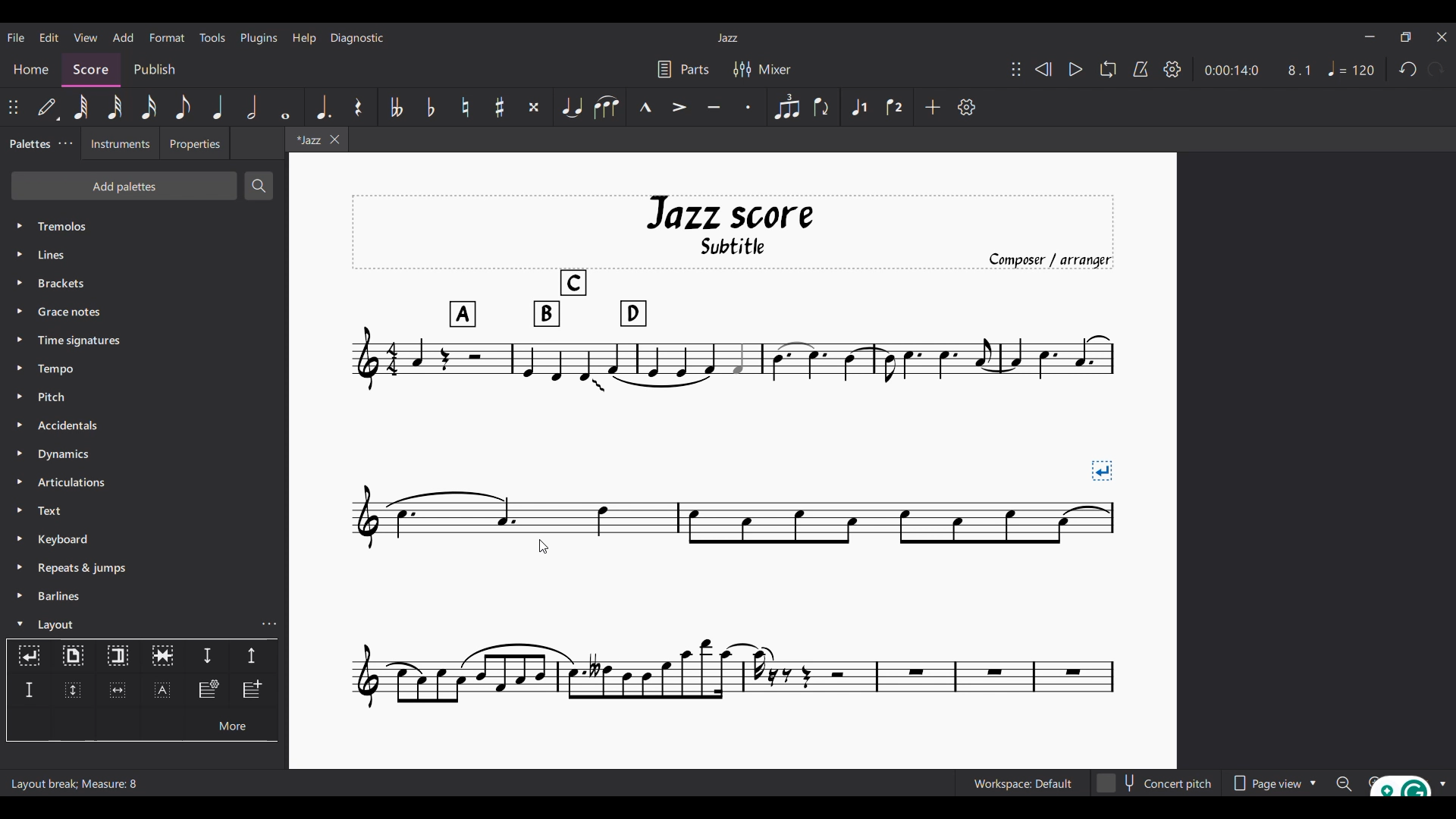 The image size is (1456, 819). Describe the element at coordinates (118, 657) in the screenshot. I see `Section break` at that location.